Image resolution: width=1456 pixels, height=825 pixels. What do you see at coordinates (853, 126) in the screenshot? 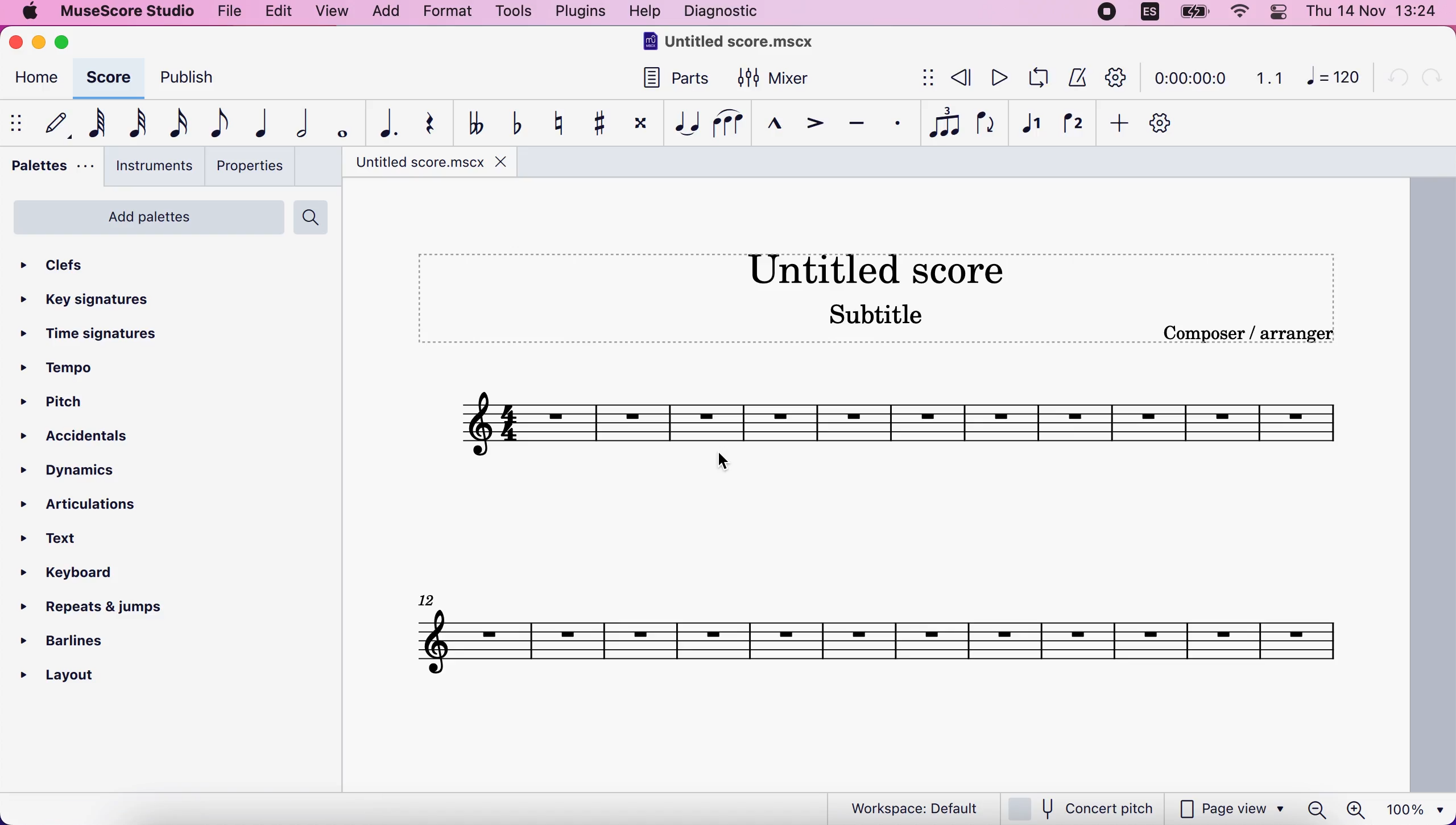
I see `tenuto` at bounding box center [853, 126].